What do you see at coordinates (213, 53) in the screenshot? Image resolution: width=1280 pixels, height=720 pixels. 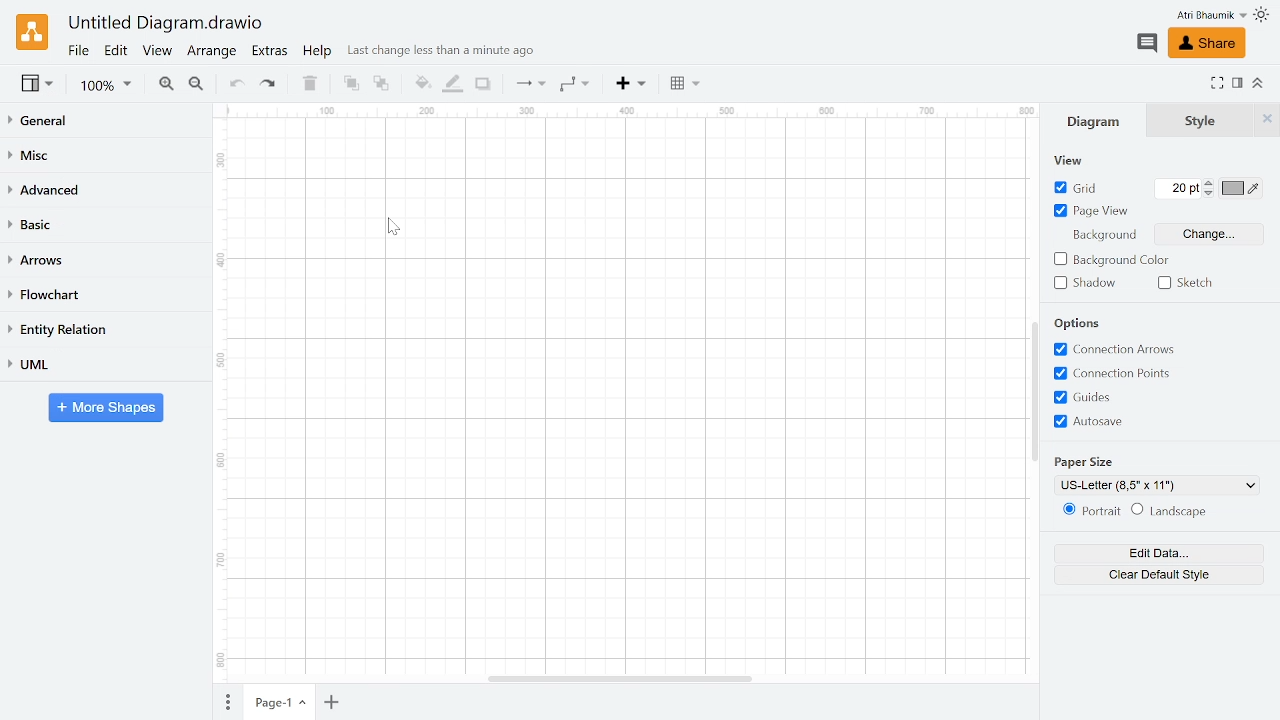 I see `Arrange` at bounding box center [213, 53].